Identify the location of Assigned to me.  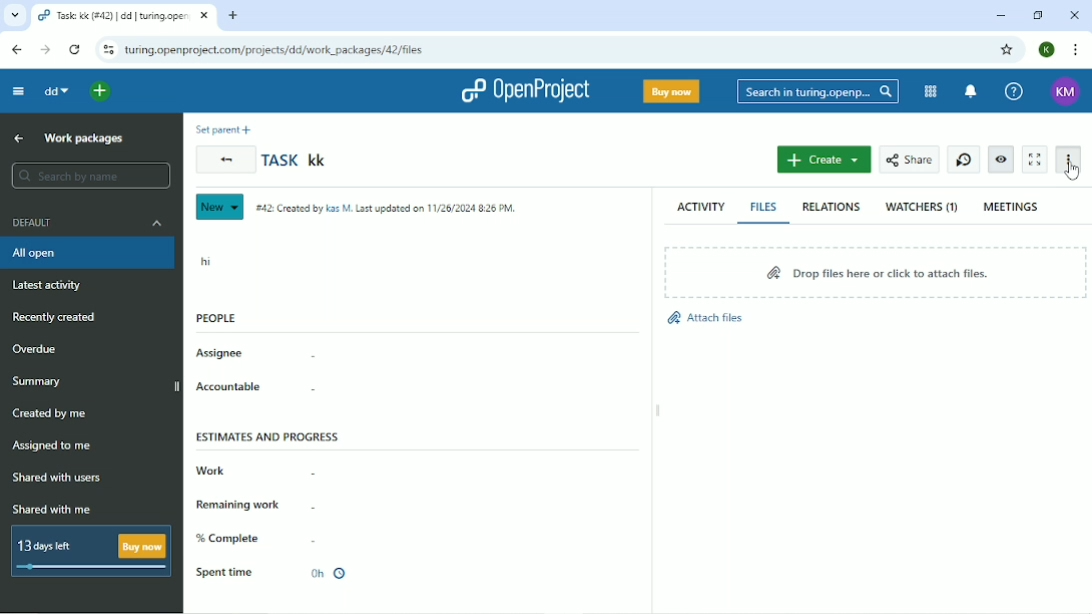
(53, 448).